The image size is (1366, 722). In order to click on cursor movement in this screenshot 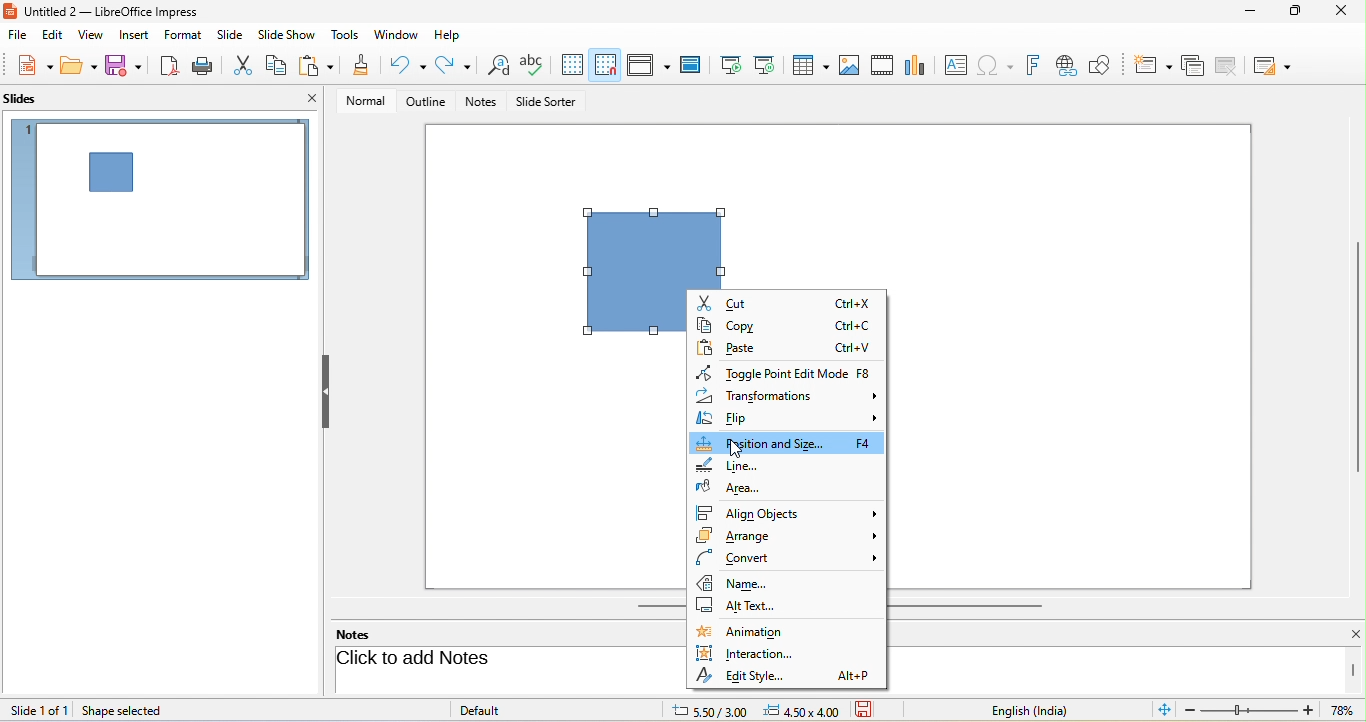, I will do `click(736, 451)`.